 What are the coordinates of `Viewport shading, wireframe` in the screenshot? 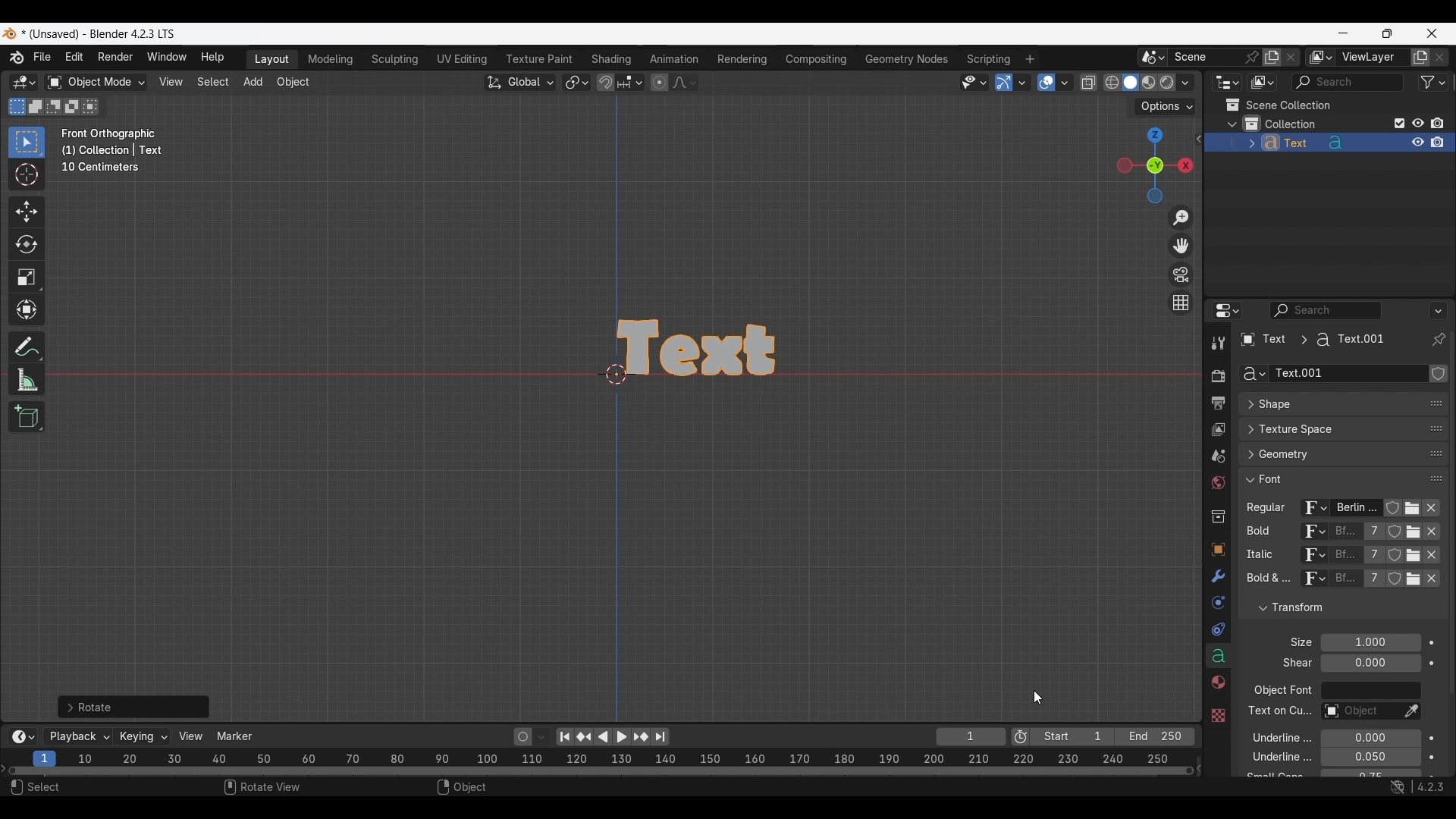 It's located at (1112, 83).